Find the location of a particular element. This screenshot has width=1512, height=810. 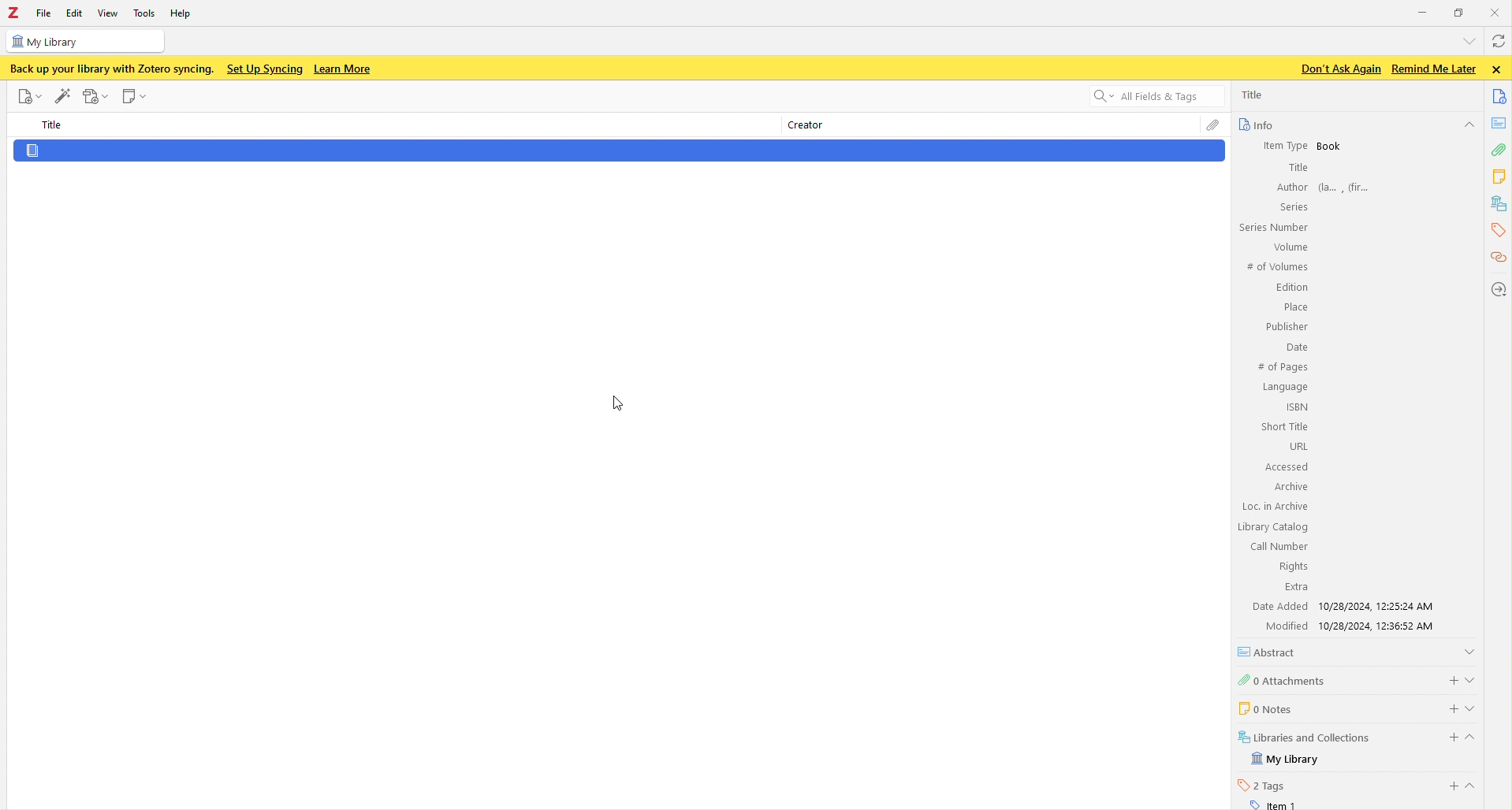

Abstract is located at coordinates (1272, 652).